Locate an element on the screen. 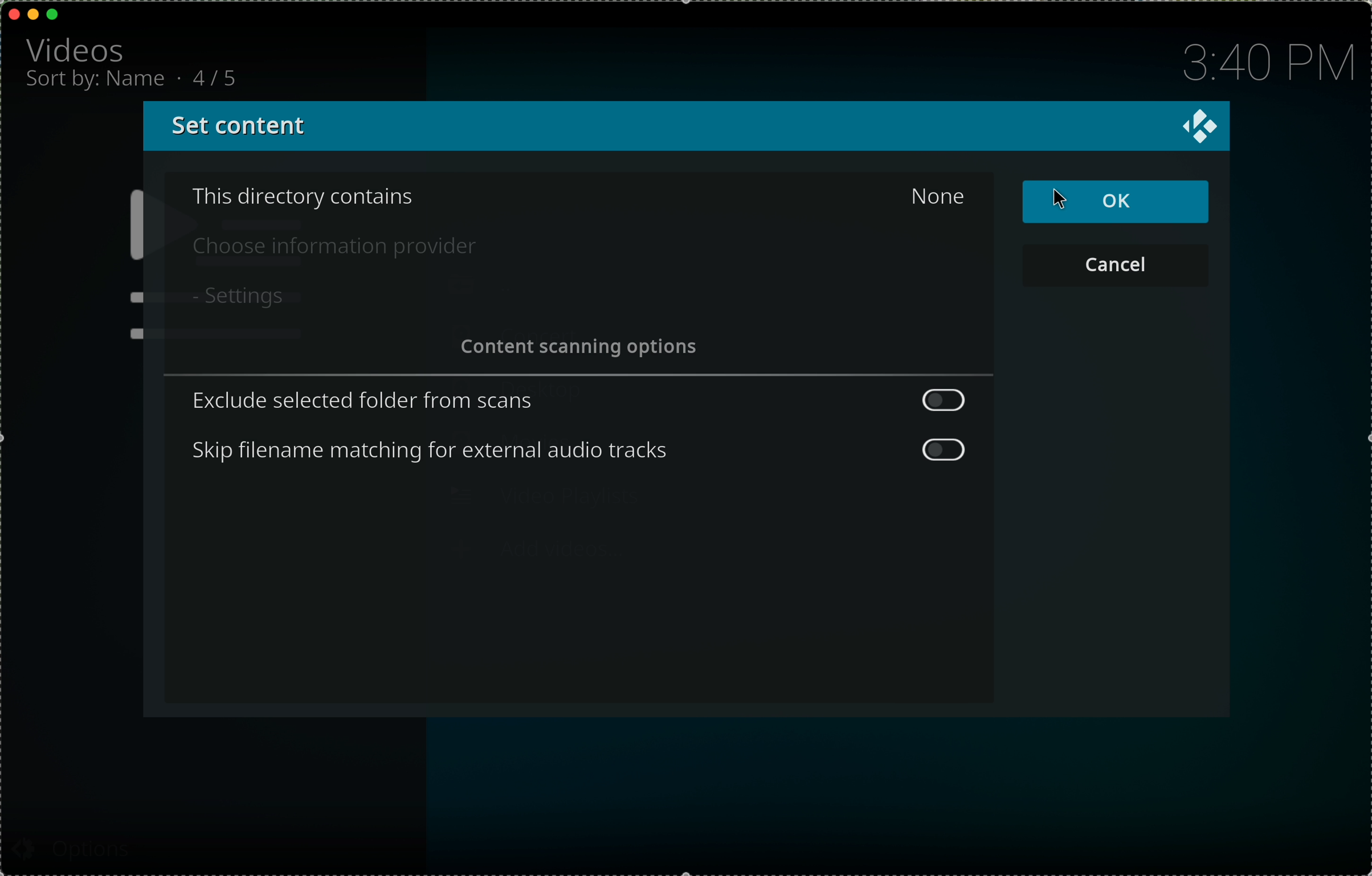 This screenshot has width=1372, height=876. minimise is located at coordinates (33, 13).